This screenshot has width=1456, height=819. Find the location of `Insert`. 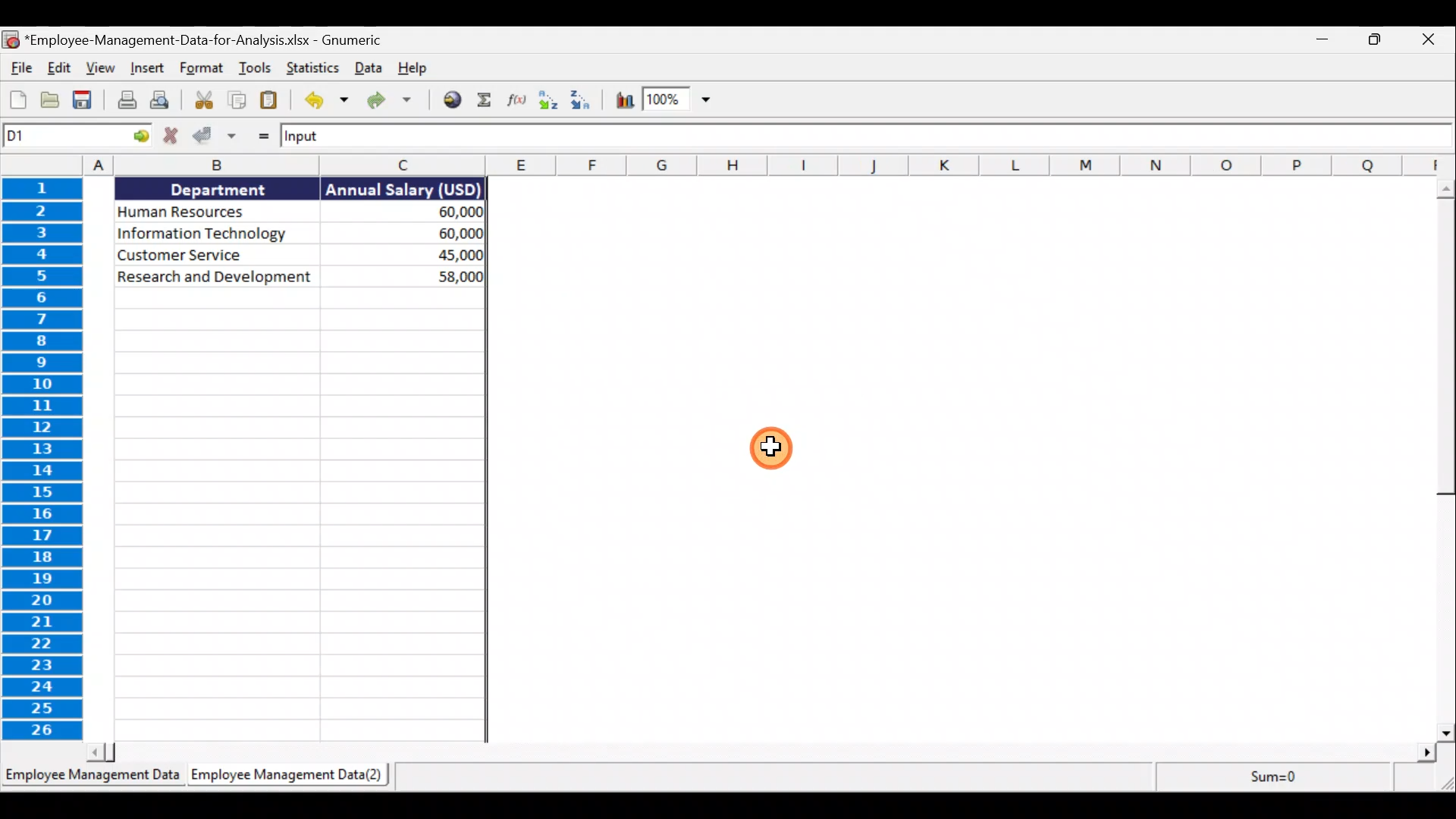

Insert is located at coordinates (149, 65).